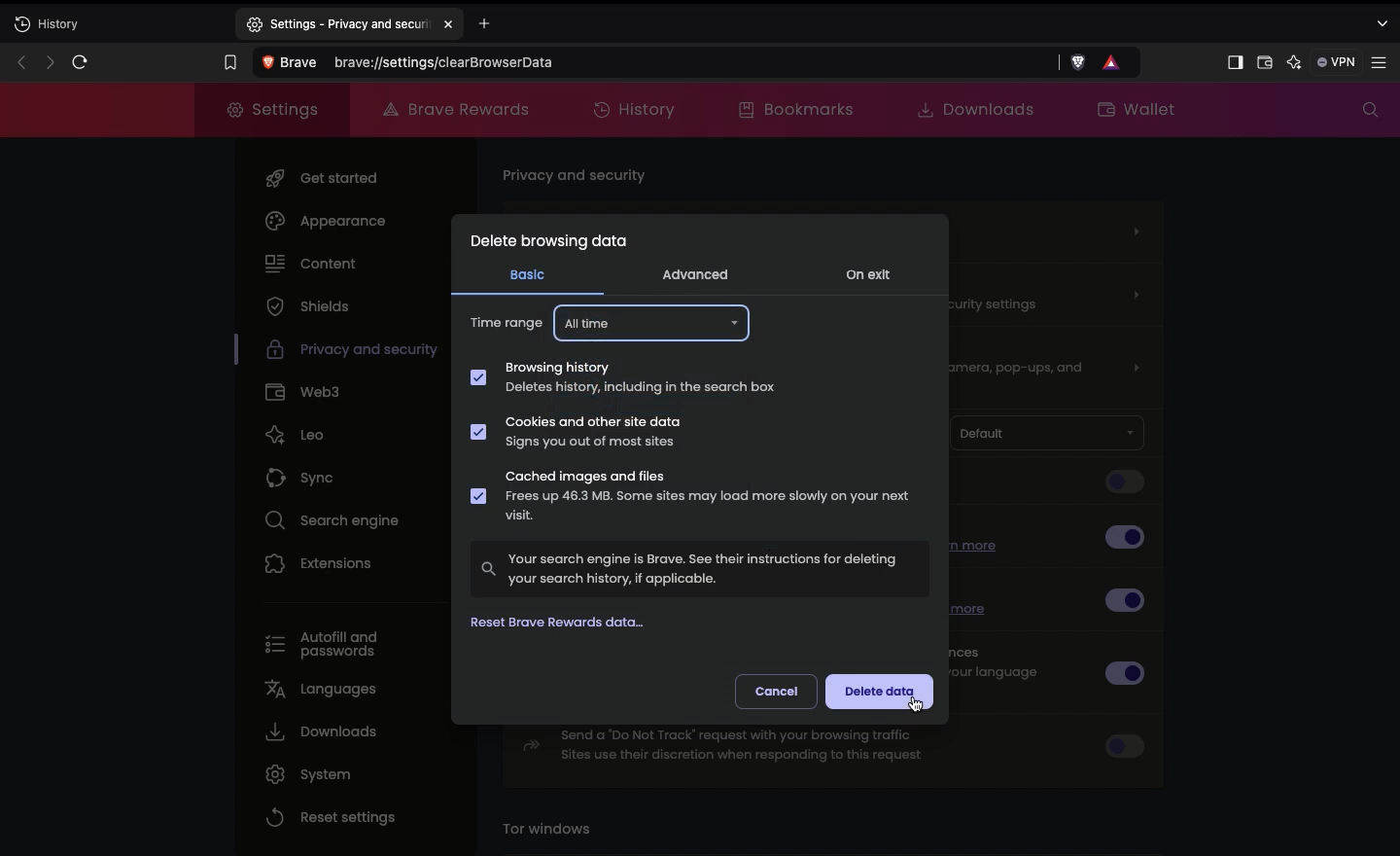 The image size is (1400, 856). What do you see at coordinates (623, 377) in the screenshot?
I see `Browsing history
Deletes history, including in the search box` at bounding box center [623, 377].